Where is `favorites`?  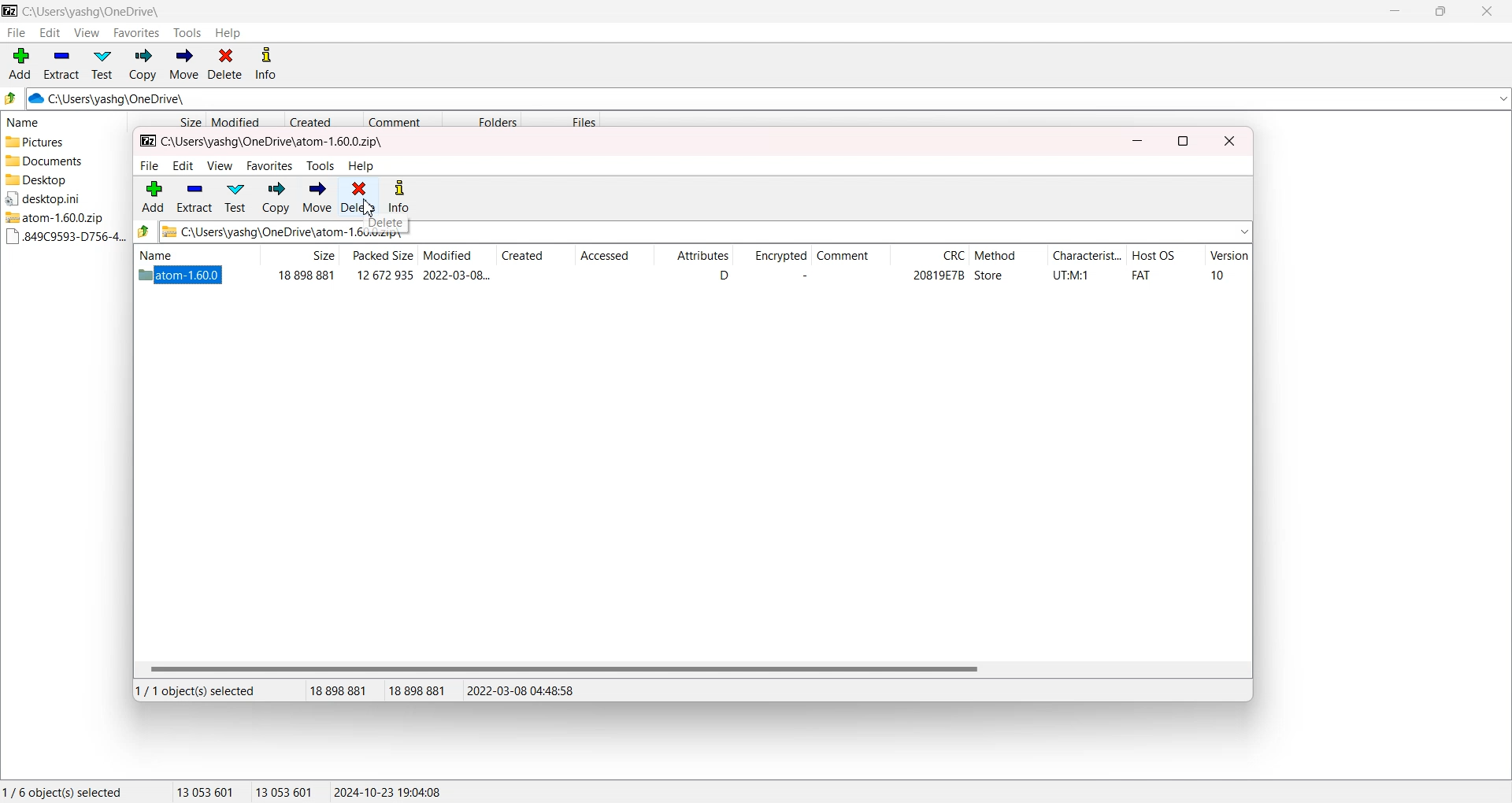
favorites is located at coordinates (271, 166).